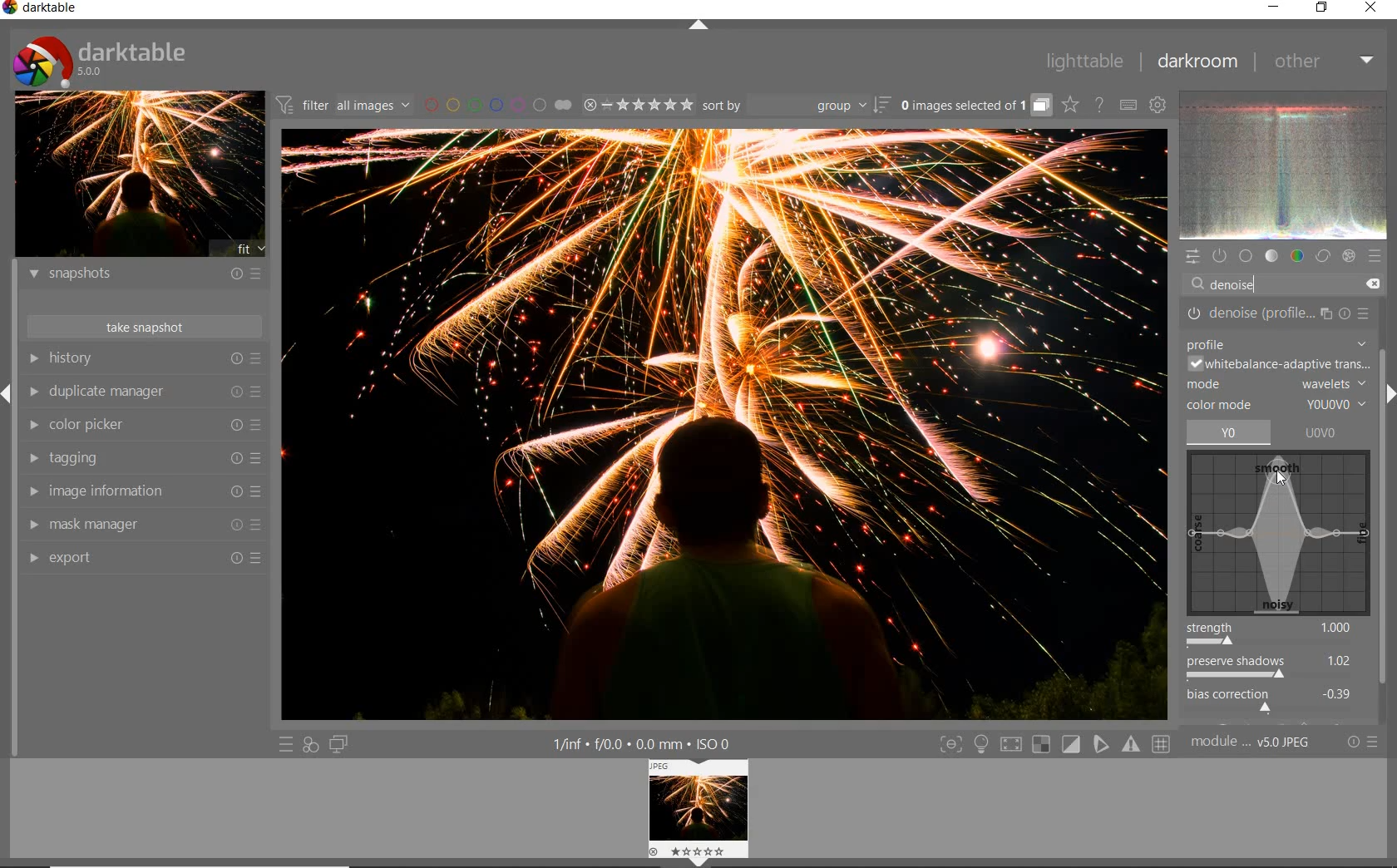 The height and width of the screenshot is (868, 1397). I want to click on other, so click(1325, 62).